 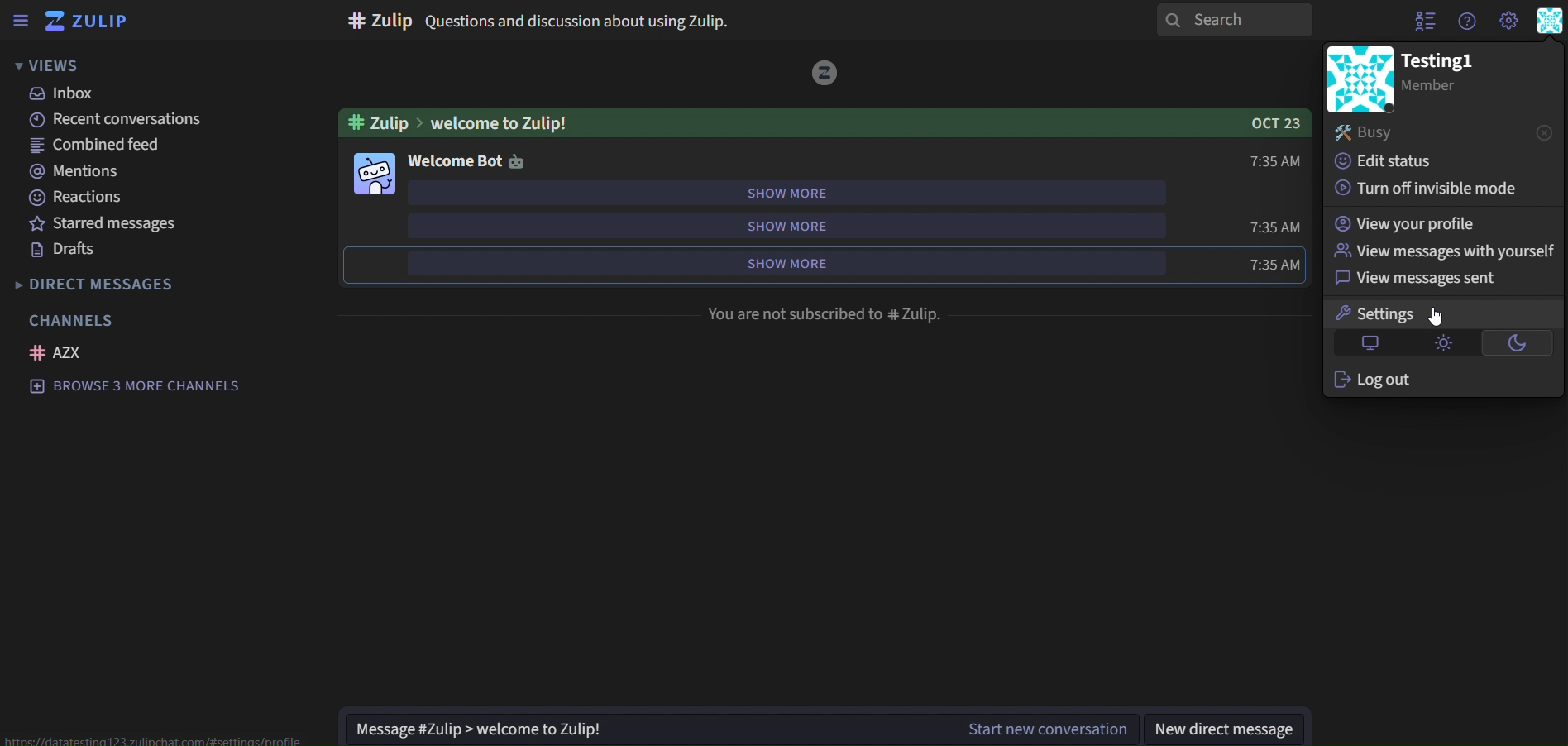 What do you see at coordinates (1432, 189) in the screenshot?
I see `turn off invisible mode` at bounding box center [1432, 189].